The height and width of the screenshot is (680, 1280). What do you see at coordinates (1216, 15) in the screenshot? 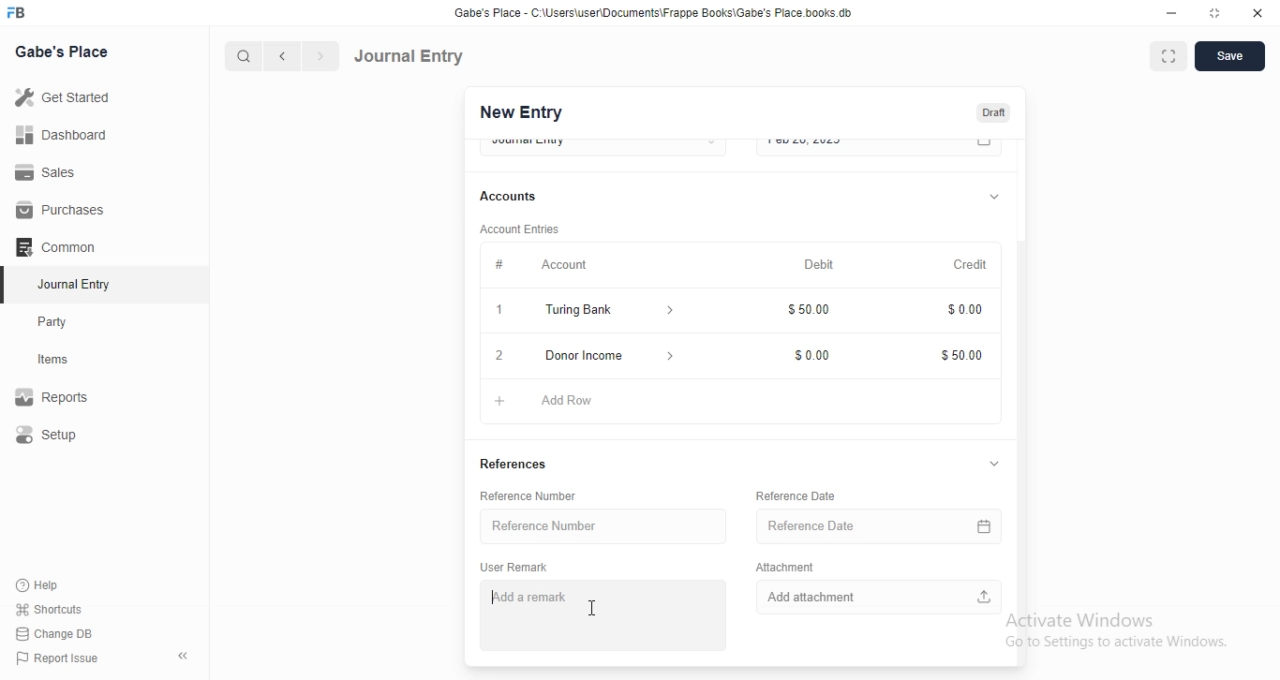
I see `restore down` at bounding box center [1216, 15].